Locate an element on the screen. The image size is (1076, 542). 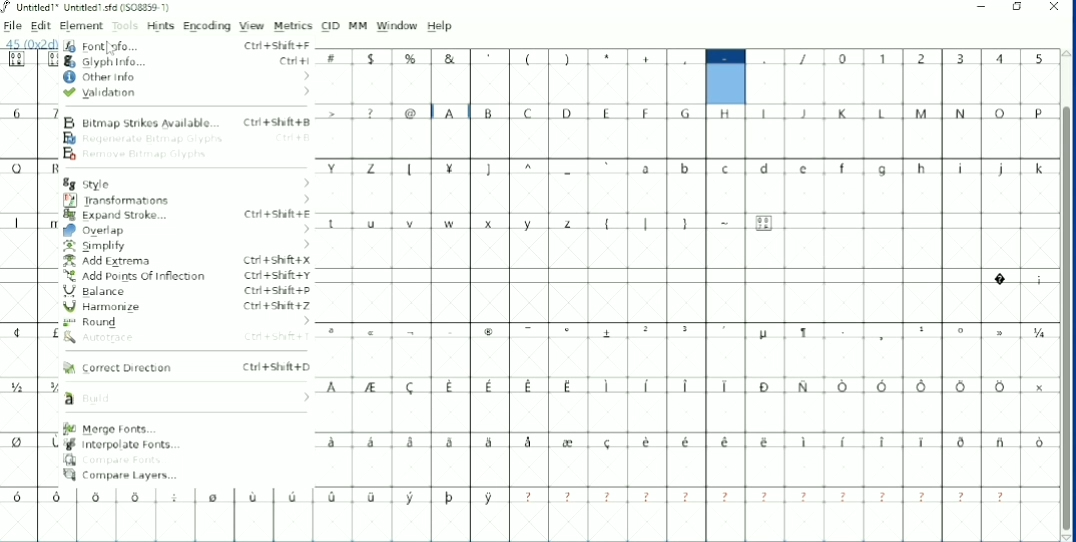
Remove Bitmap Glyph is located at coordinates (137, 154).